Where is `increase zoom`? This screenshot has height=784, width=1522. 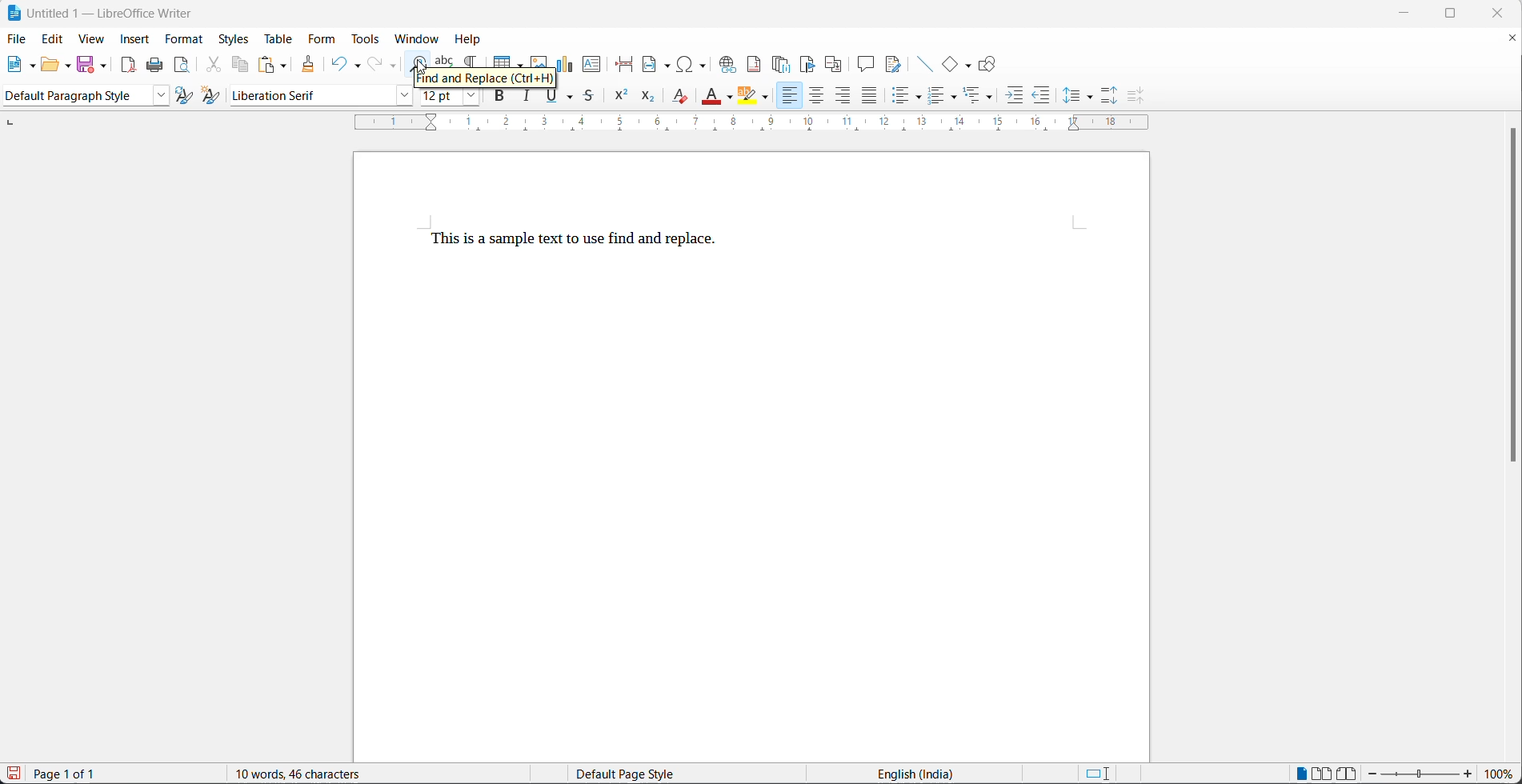 increase zoom is located at coordinates (1470, 775).